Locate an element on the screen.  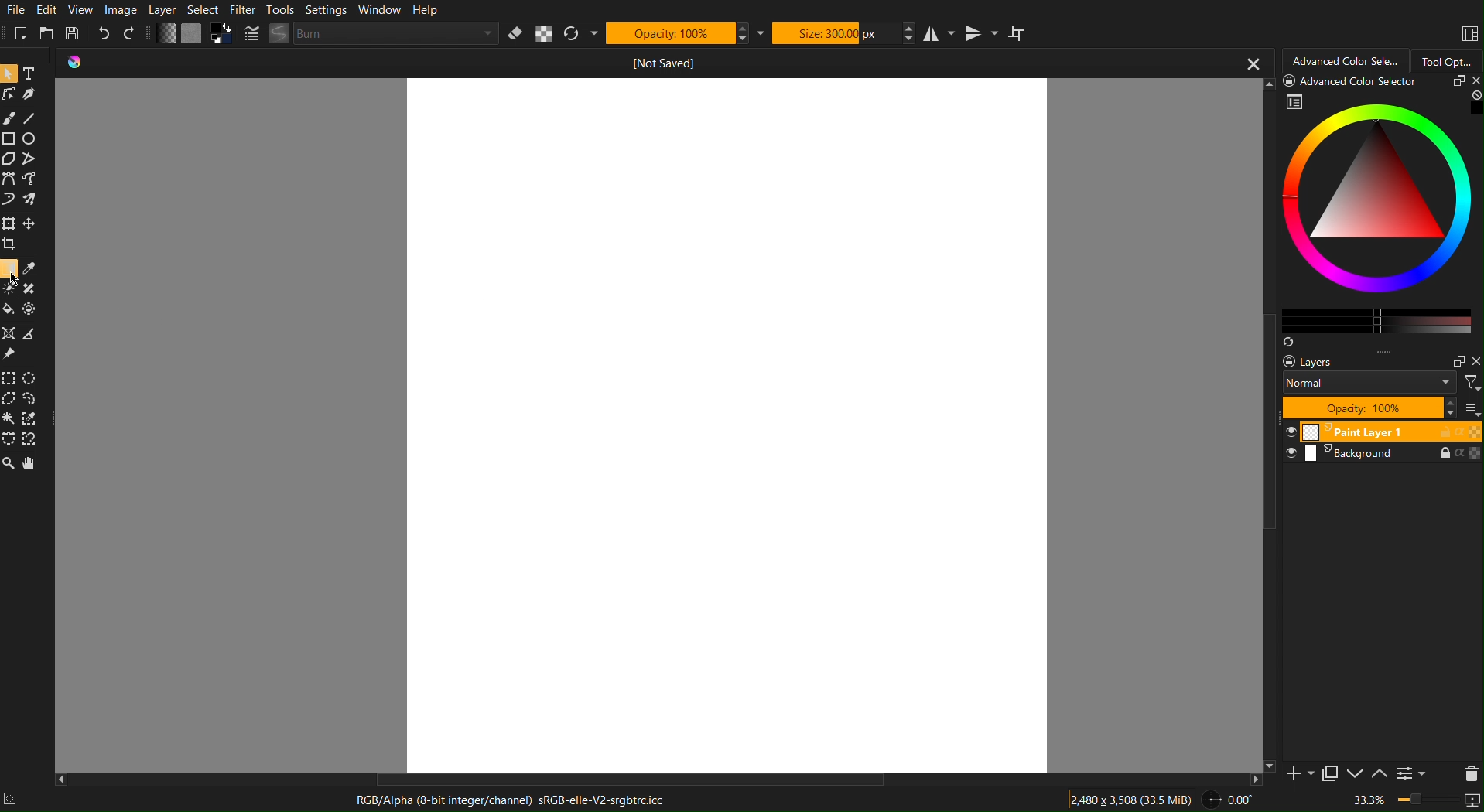
Edit is located at coordinates (48, 11).